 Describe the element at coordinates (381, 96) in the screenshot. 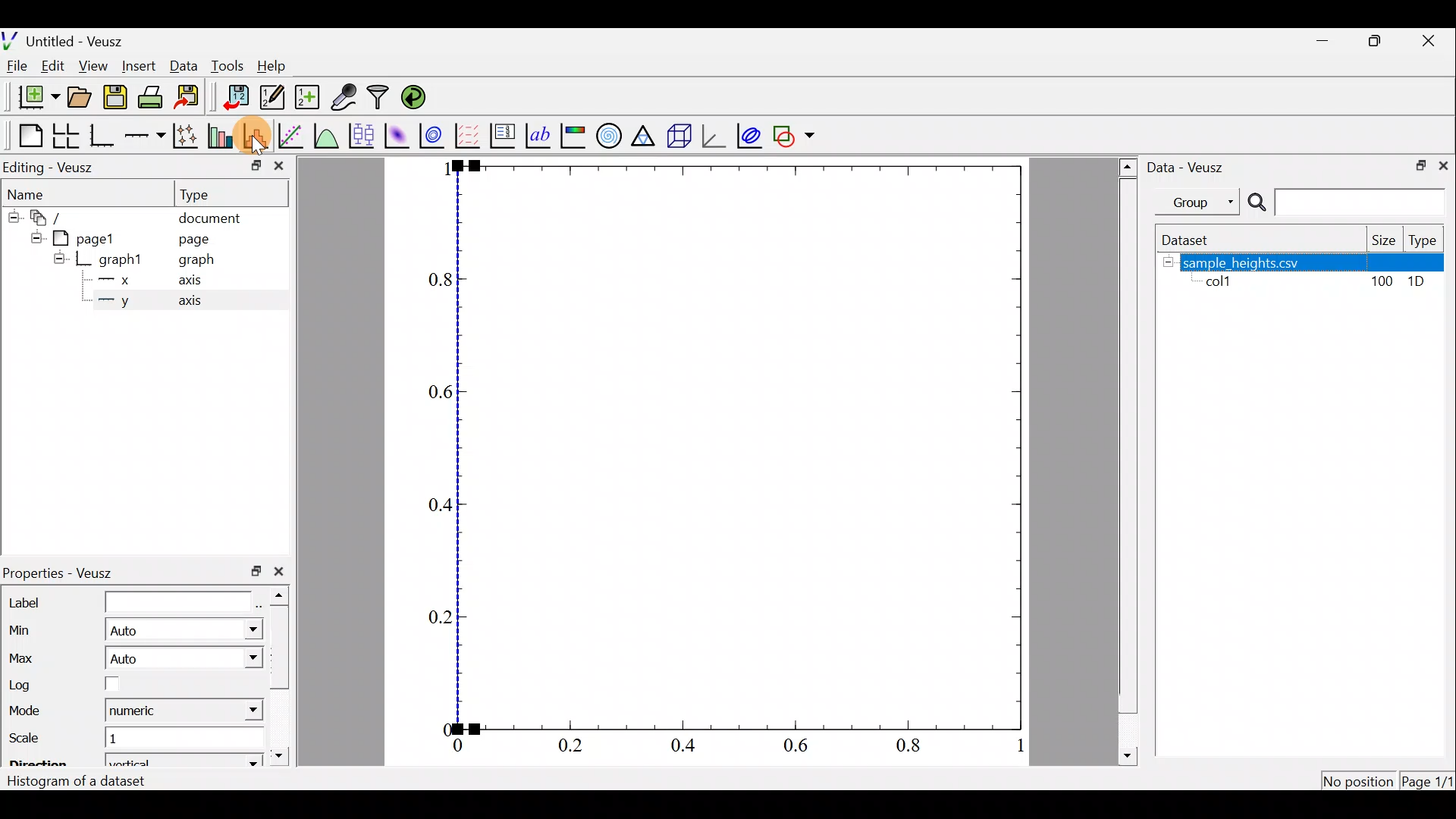

I see `Filter data` at that location.